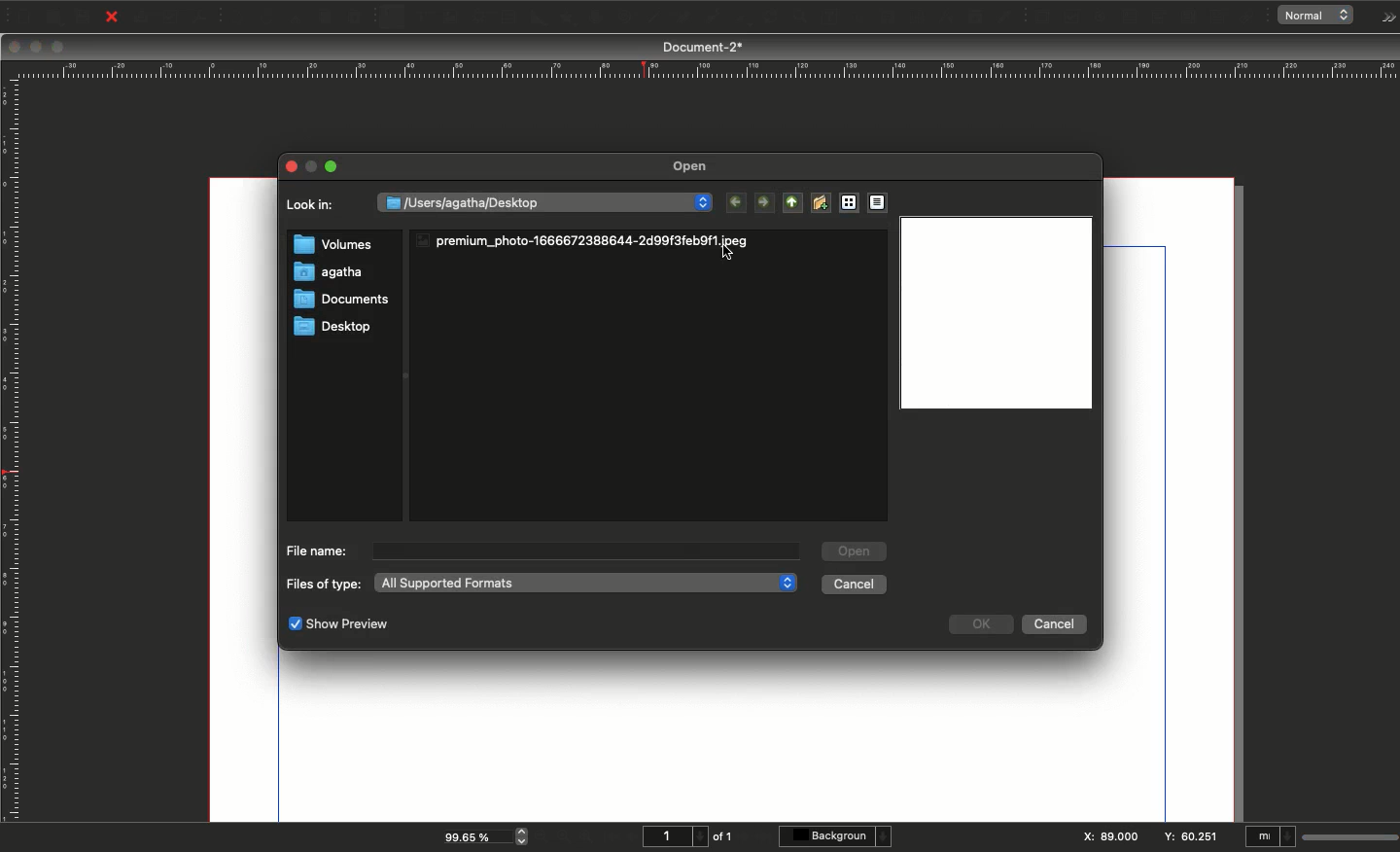 This screenshot has height=852, width=1400. Describe the element at coordinates (112, 18) in the screenshot. I see `Close` at that location.